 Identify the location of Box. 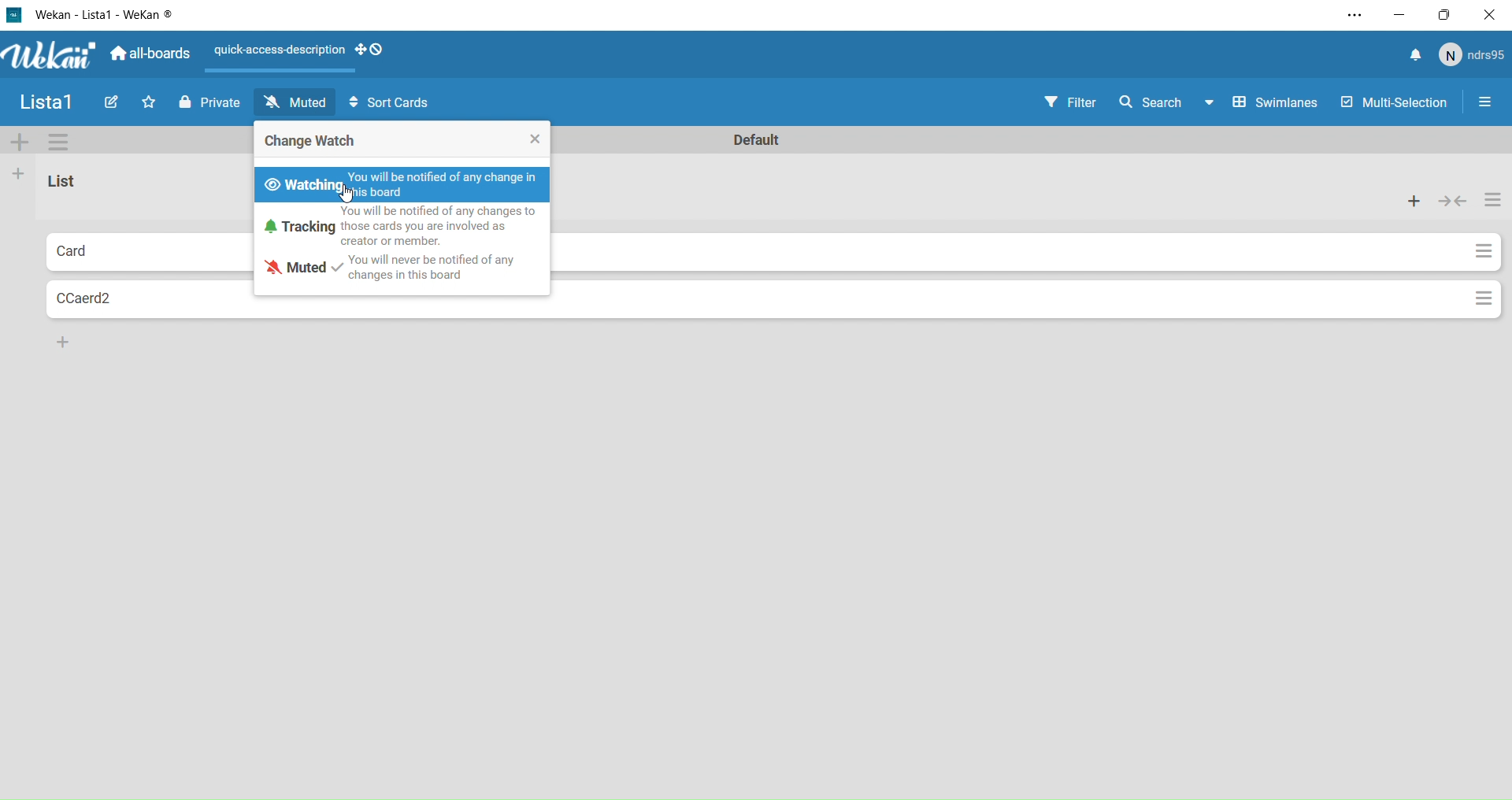
(1451, 15).